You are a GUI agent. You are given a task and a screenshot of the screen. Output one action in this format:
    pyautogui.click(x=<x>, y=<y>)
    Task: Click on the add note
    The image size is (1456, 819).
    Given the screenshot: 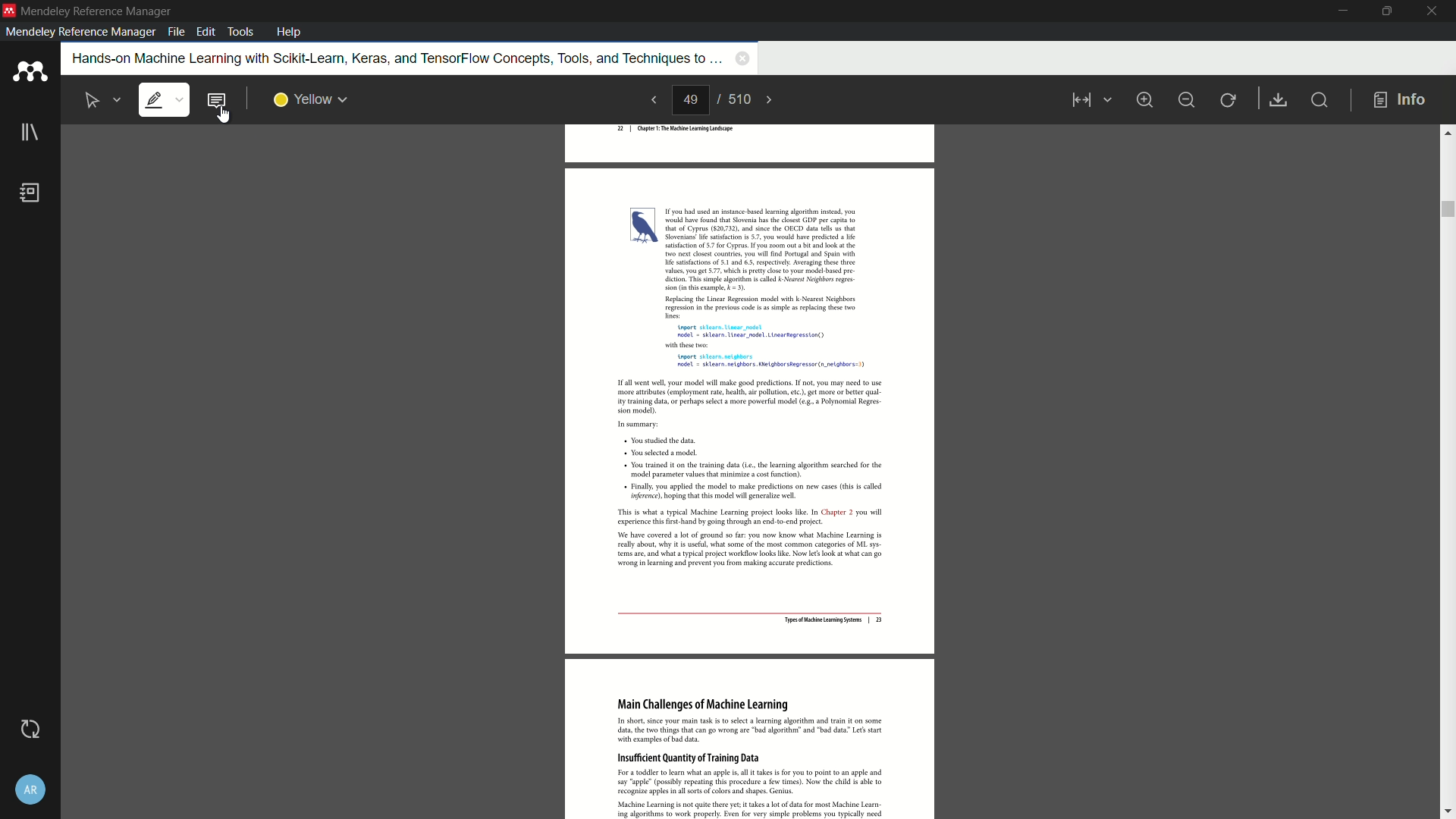 What is the action you would take?
    pyautogui.click(x=217, y=101)
    